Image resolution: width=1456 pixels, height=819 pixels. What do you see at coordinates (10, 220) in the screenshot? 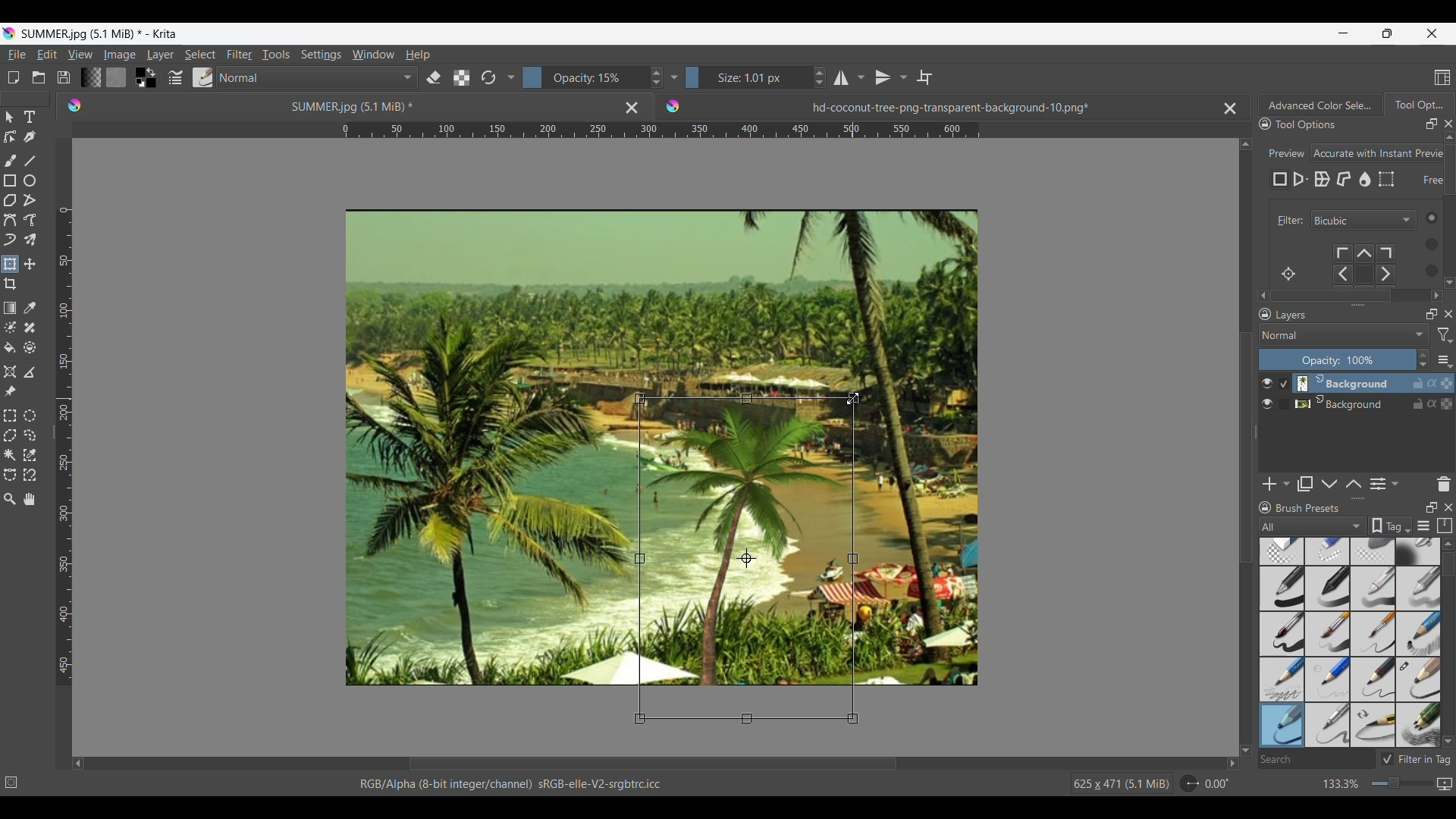
I see `Bezier curve tool` at bounding box center [10, 220].